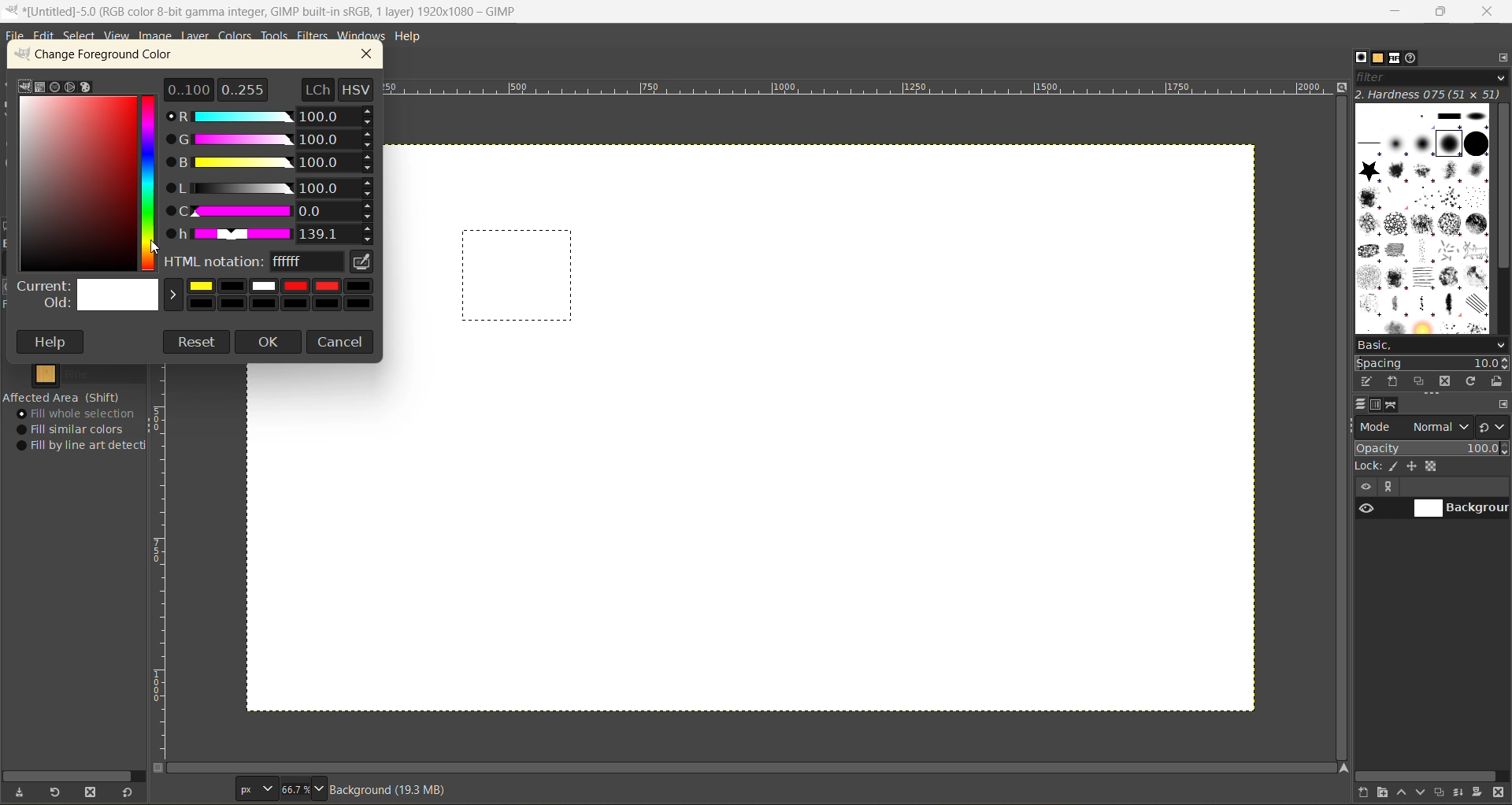 The height and width of the screenshot is (805, 1512). I want to click on patterns, so click(1378, 57).